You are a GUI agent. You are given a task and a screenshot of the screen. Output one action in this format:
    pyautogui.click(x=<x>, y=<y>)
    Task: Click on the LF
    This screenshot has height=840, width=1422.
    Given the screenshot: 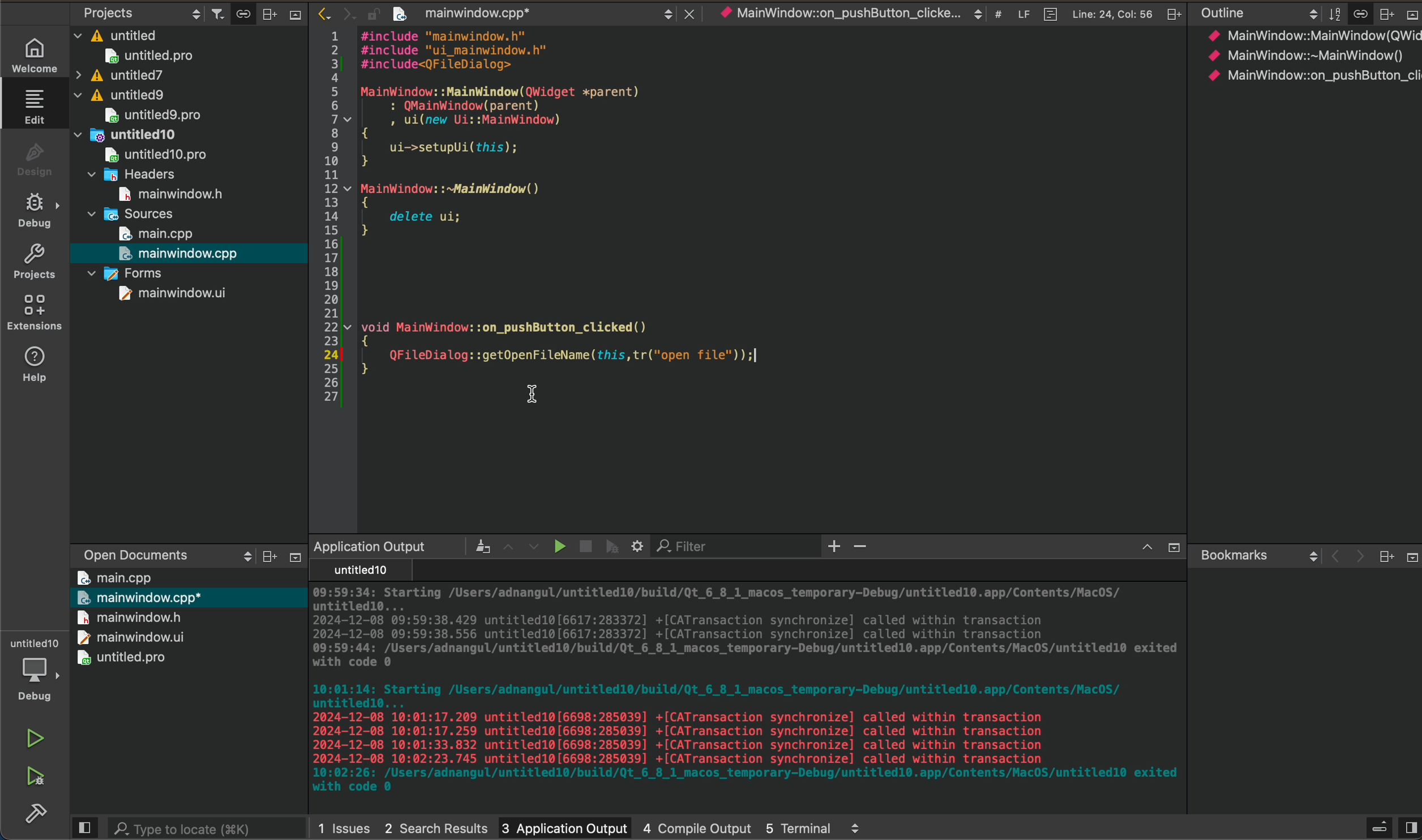 What is the action you would take?
    pyautogui.click(x=1020, y=12)
    